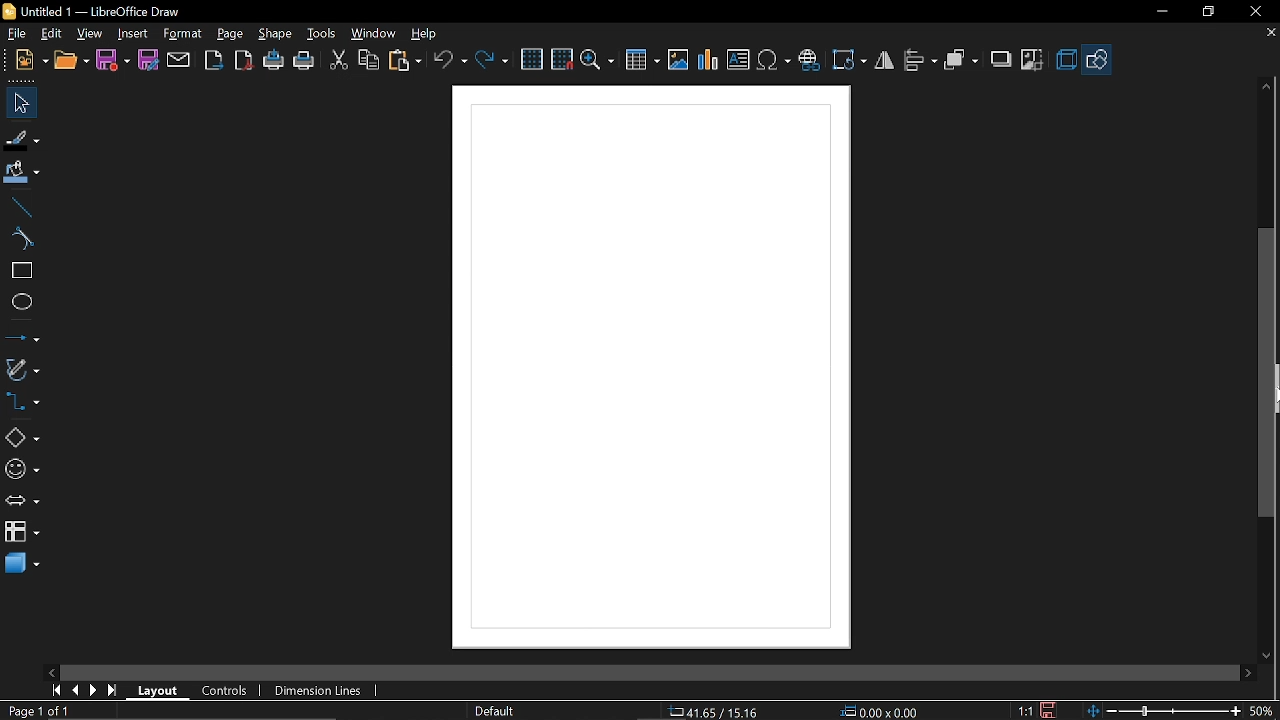 The width and height of the screenshot is (1280, 720). Describe the element at coordinates (245, 60) in the screenshot. I see `export as pdf` at that location.